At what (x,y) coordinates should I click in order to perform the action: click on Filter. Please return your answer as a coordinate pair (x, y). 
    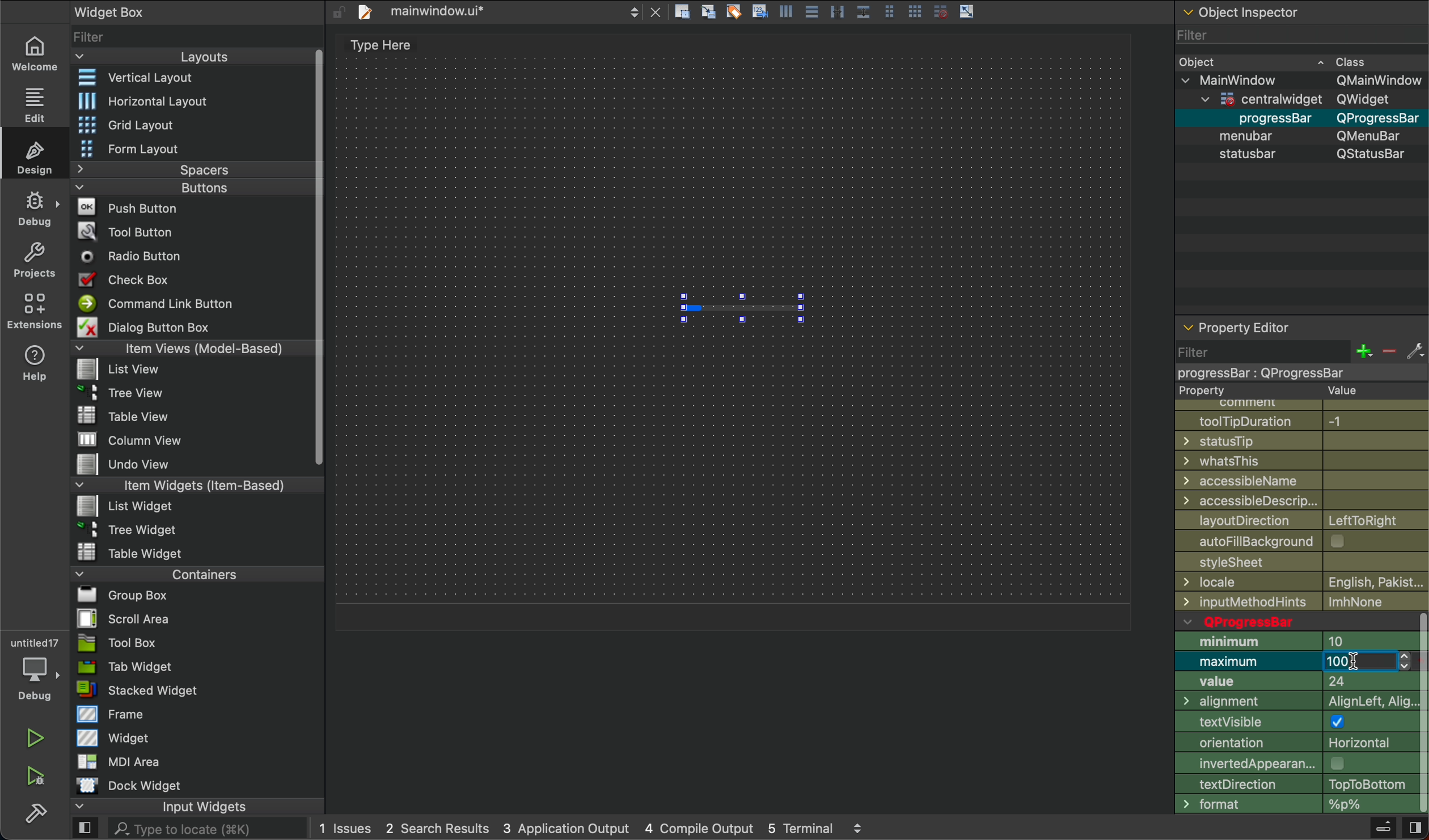
    Looking at the image, I should click on (1299, 34).